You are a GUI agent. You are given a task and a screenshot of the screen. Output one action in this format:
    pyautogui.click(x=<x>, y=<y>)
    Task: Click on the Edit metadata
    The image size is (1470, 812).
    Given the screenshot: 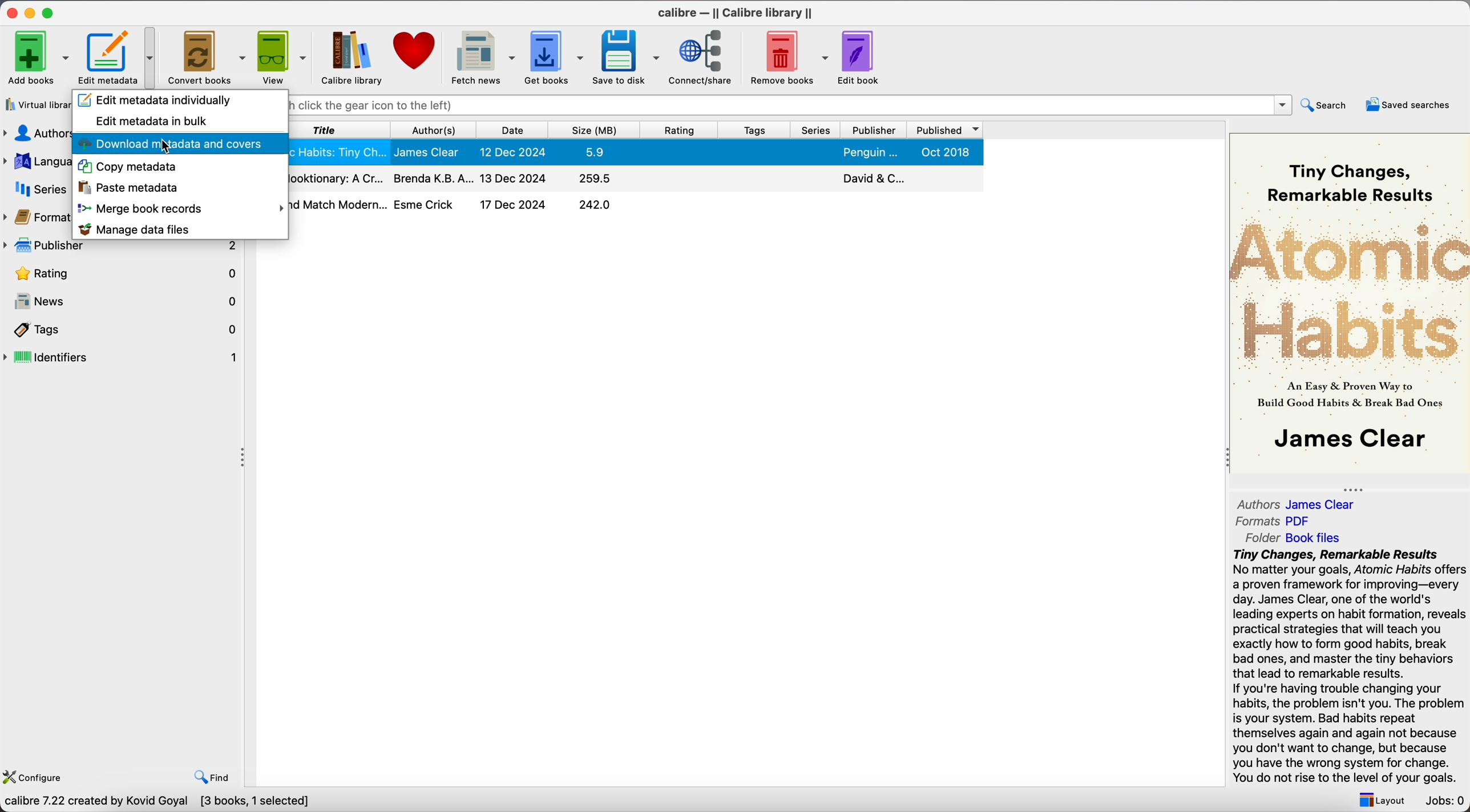 What is the action you would take?
    pyautogui.click(x=112, y=59)
    